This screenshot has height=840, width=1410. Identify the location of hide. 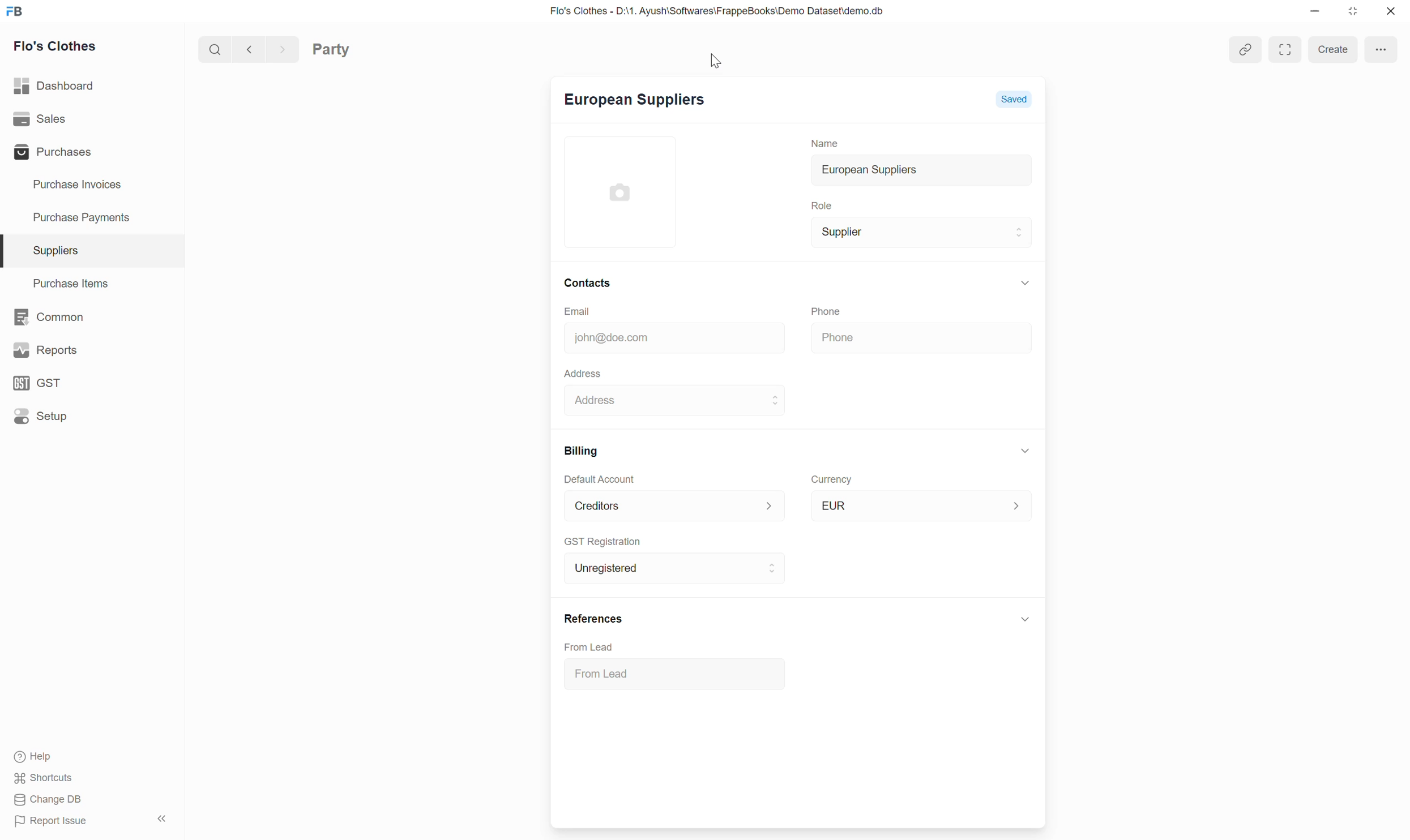
(158, 818).